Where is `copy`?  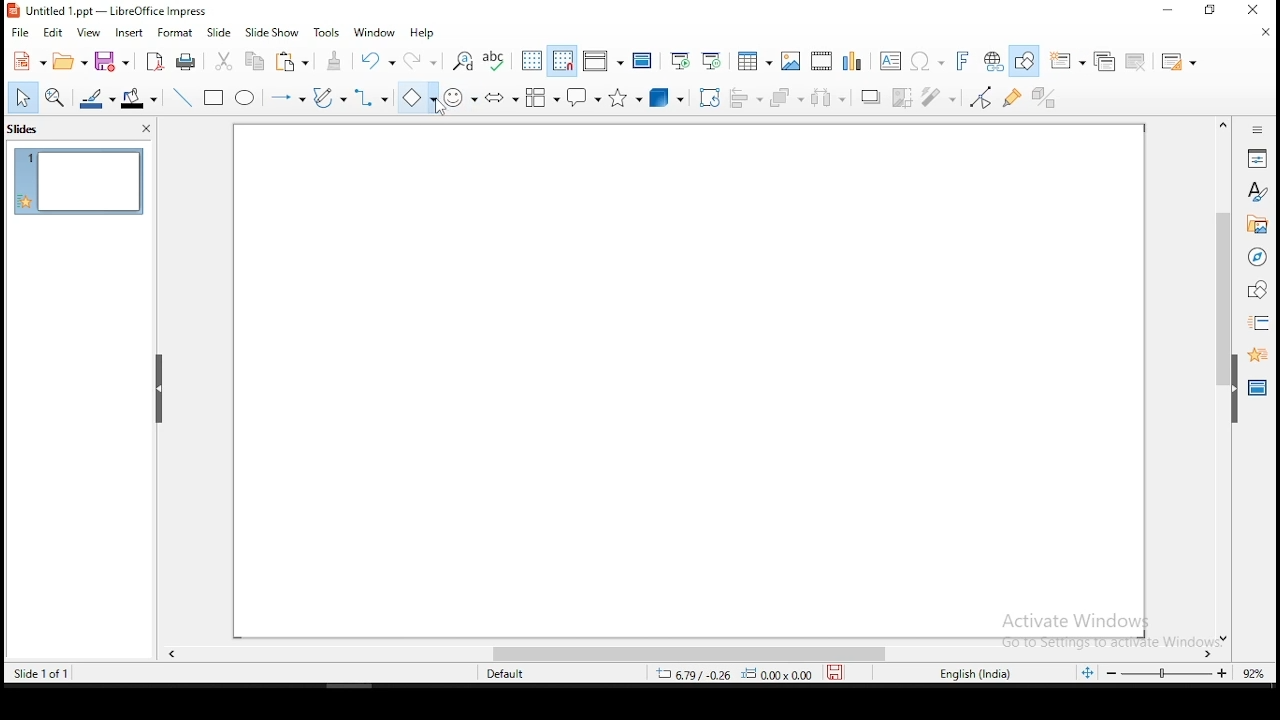 copy is located at coordinates (260, 64).